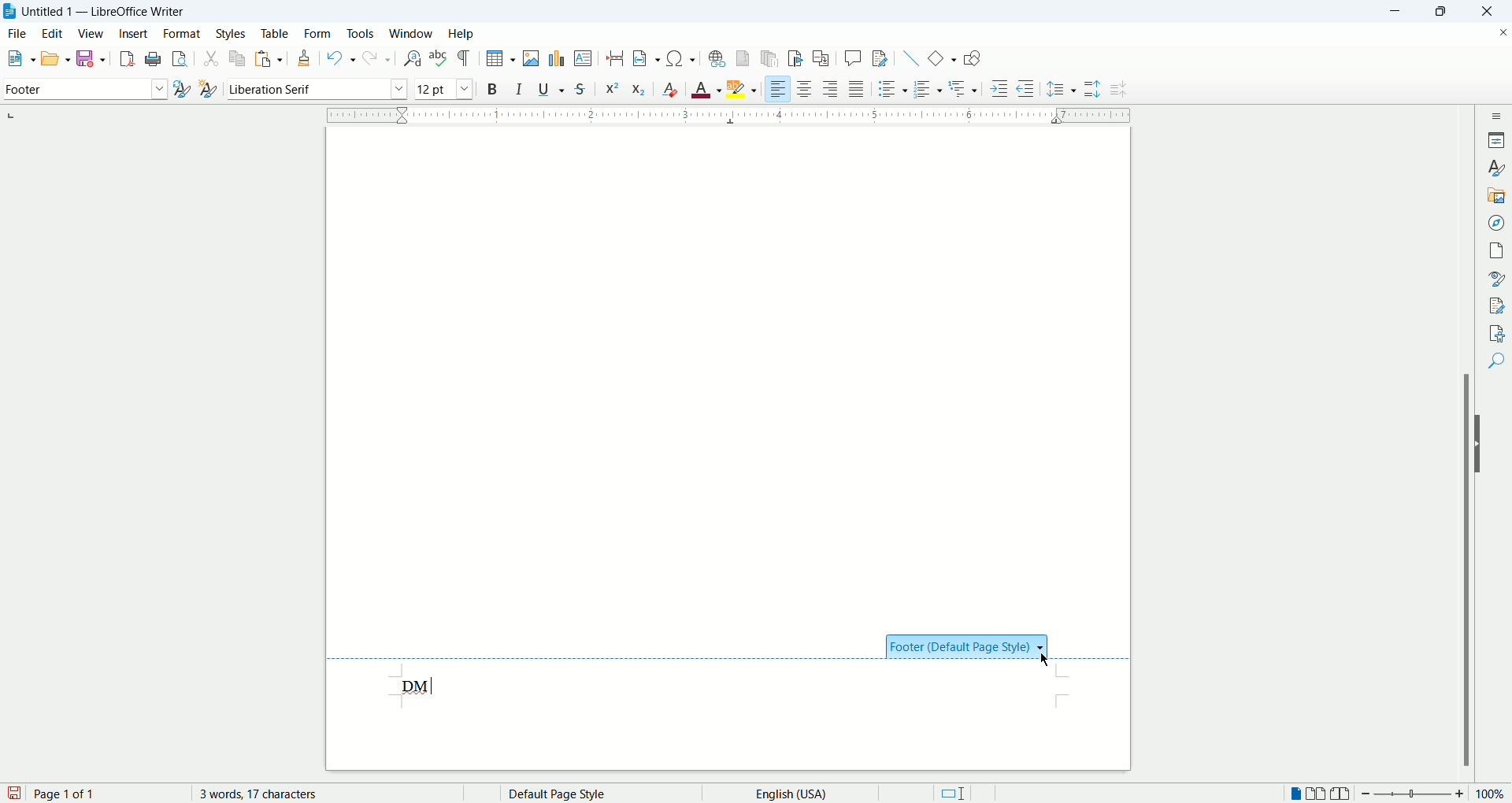 The height and width of the screenshot is (803, 1512). What do you see at coordinates (181, 34) in the screenshot?
I see `format` at bounding box center [181, 34].